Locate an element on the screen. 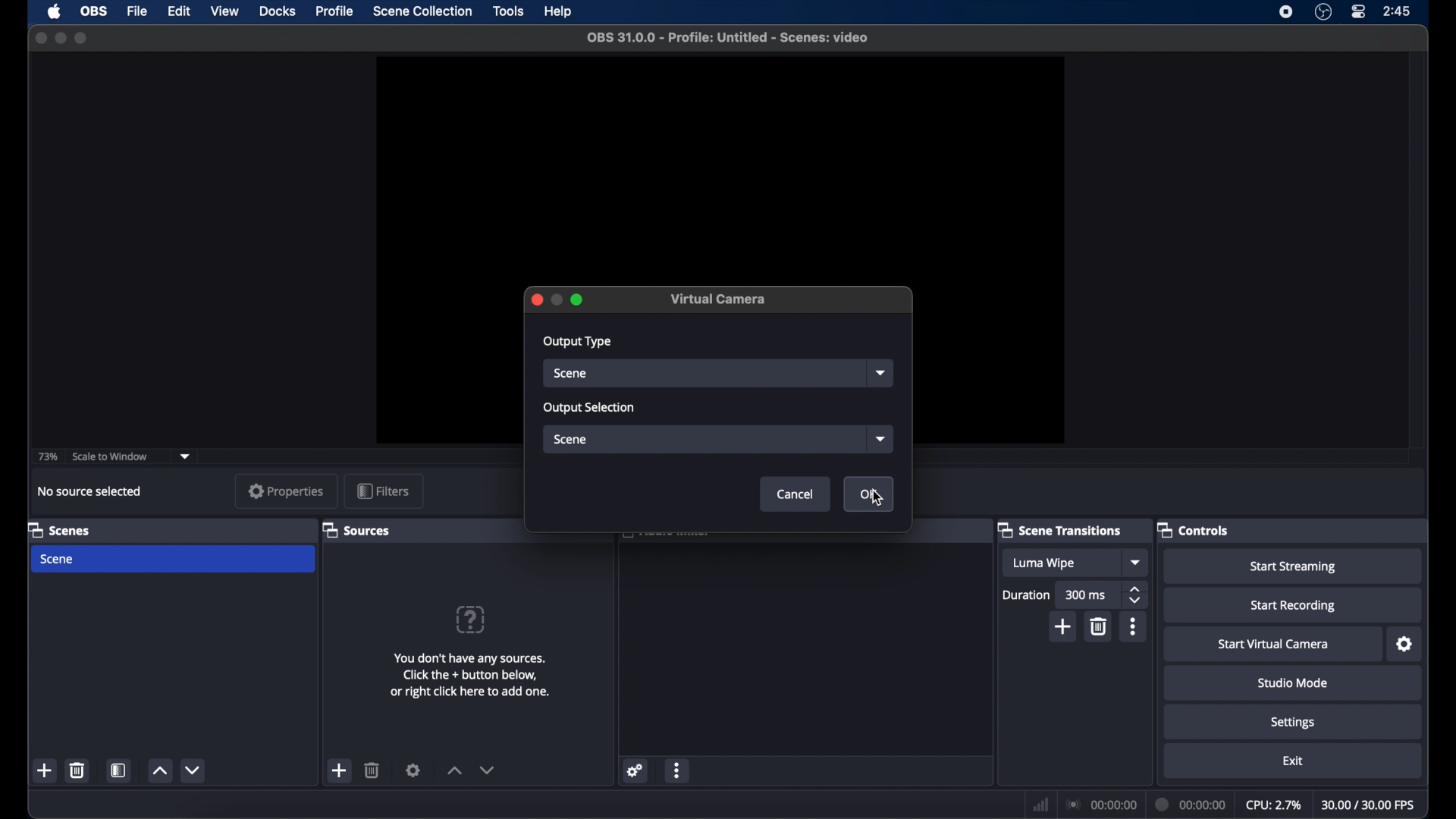 This screenshot has width=1456, height=819. connection is located at coordinates (1100, 804).